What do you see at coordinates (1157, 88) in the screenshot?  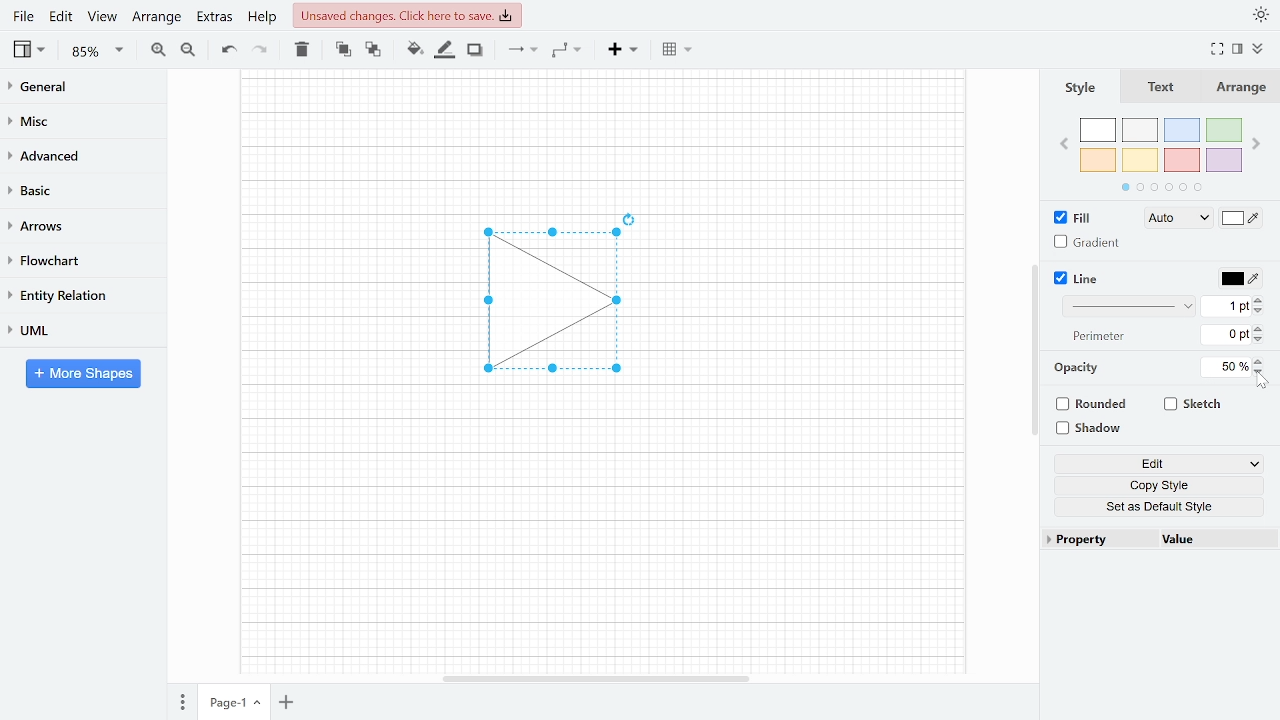 I see `Text` at bounding box center [1157, 88].